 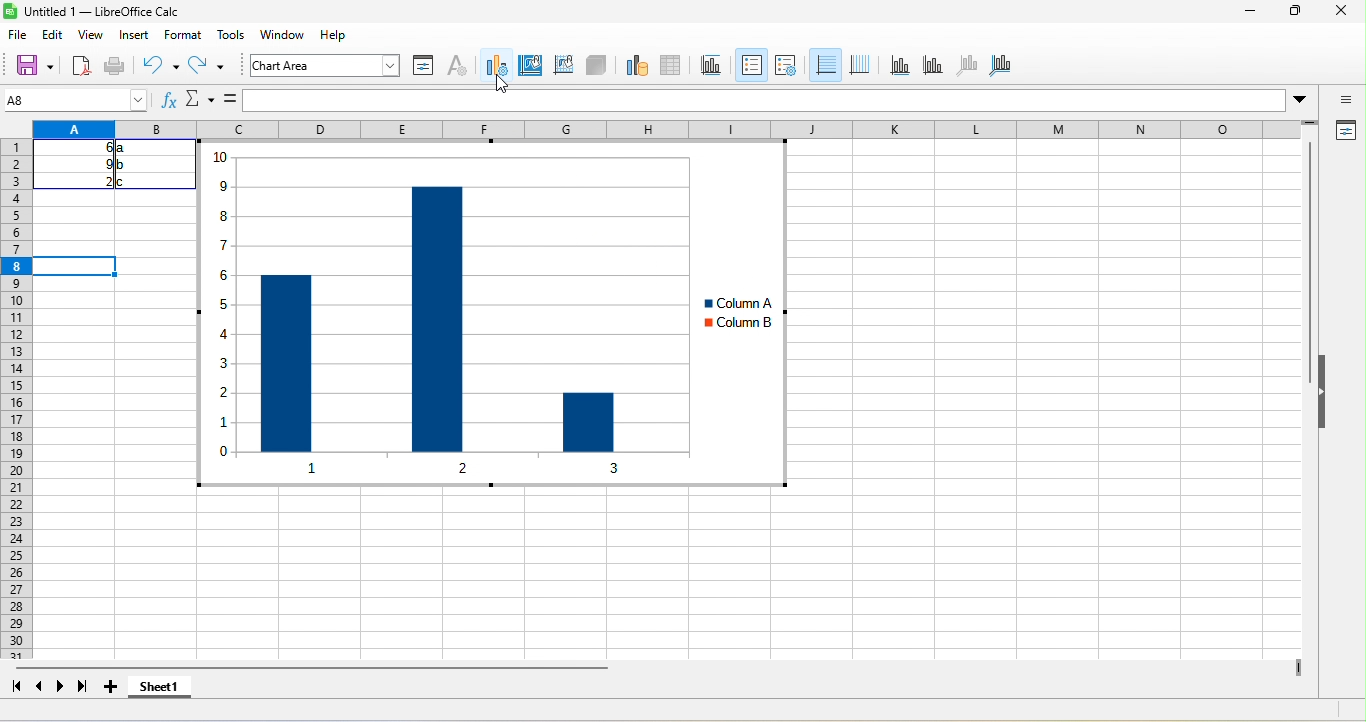 What do you see at coordinates (860, 64) in the screenshot?
I see `legend` at bounding box center [860, 64].